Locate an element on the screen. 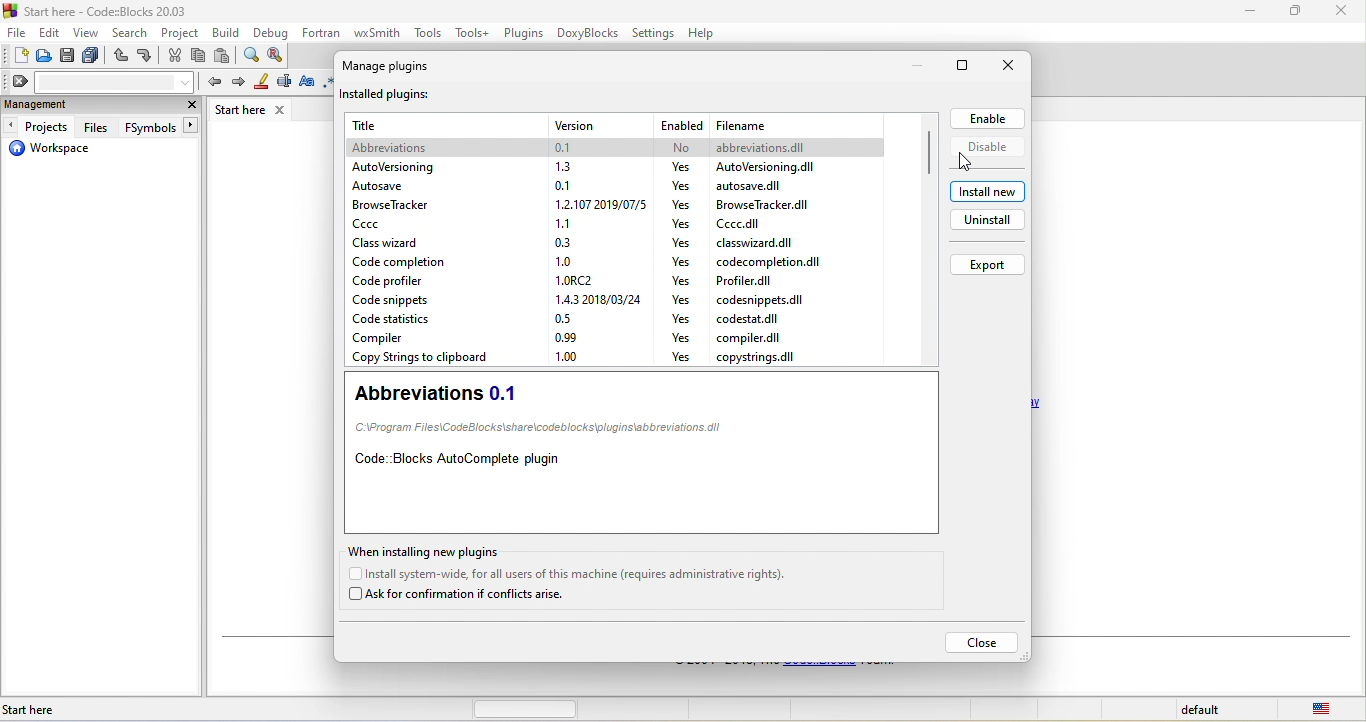 The height and width of the screenshot is (722, 1366). scroll bar is located at coordinates (928, 150).